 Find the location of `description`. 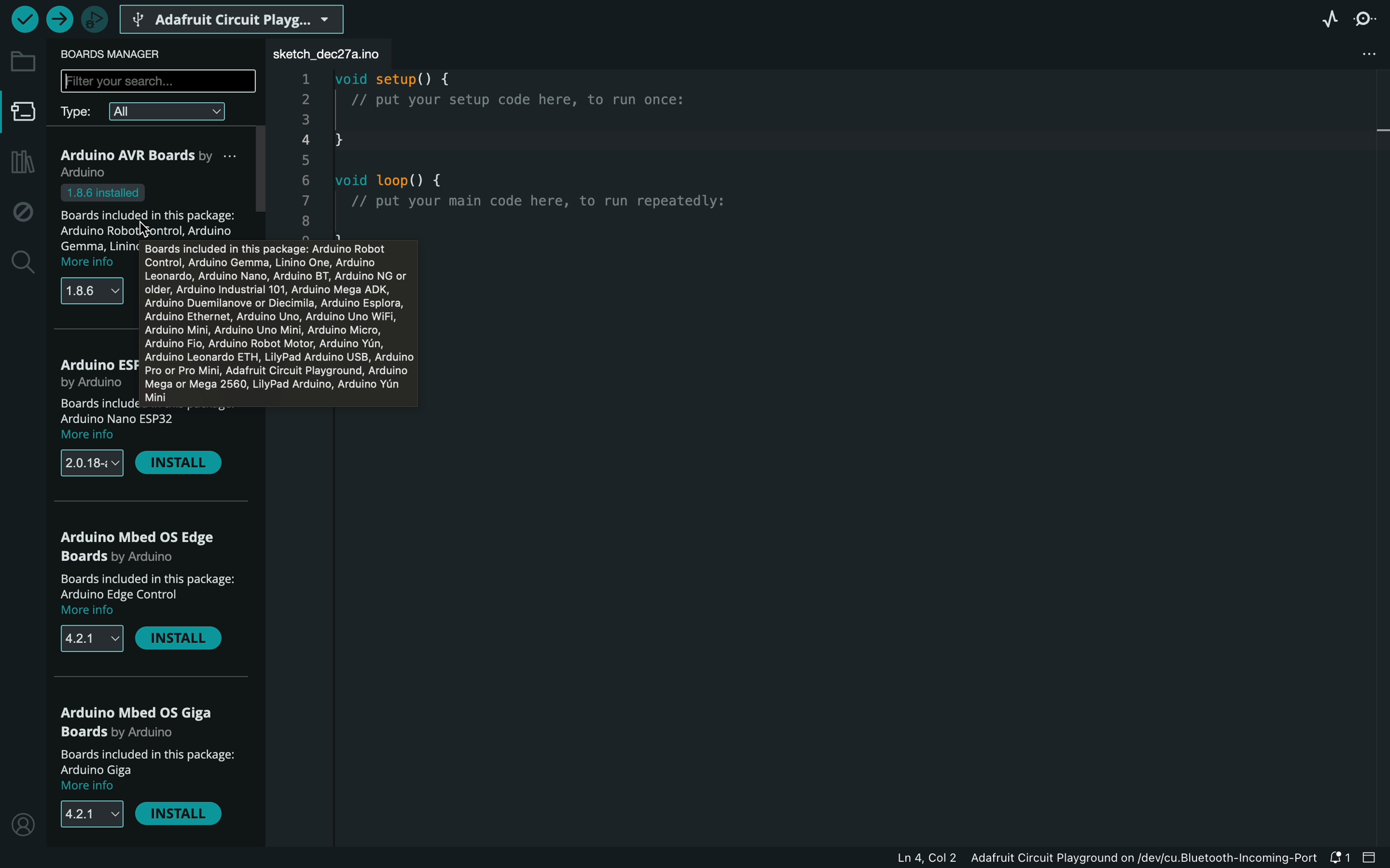

description is located at coordinates (148, 586).